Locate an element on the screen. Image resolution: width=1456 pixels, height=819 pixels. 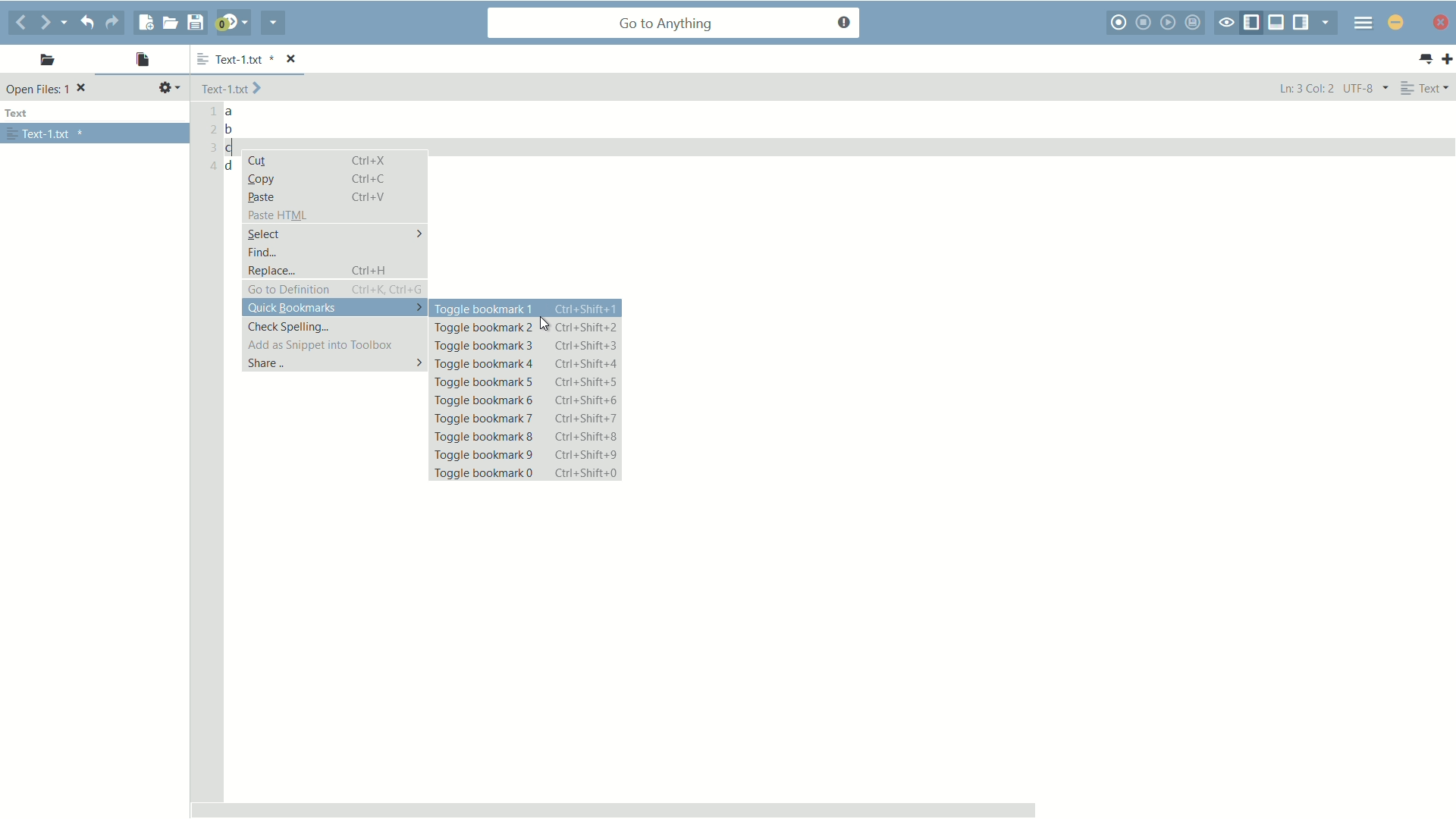
new file is located at coordinates (145, 23).